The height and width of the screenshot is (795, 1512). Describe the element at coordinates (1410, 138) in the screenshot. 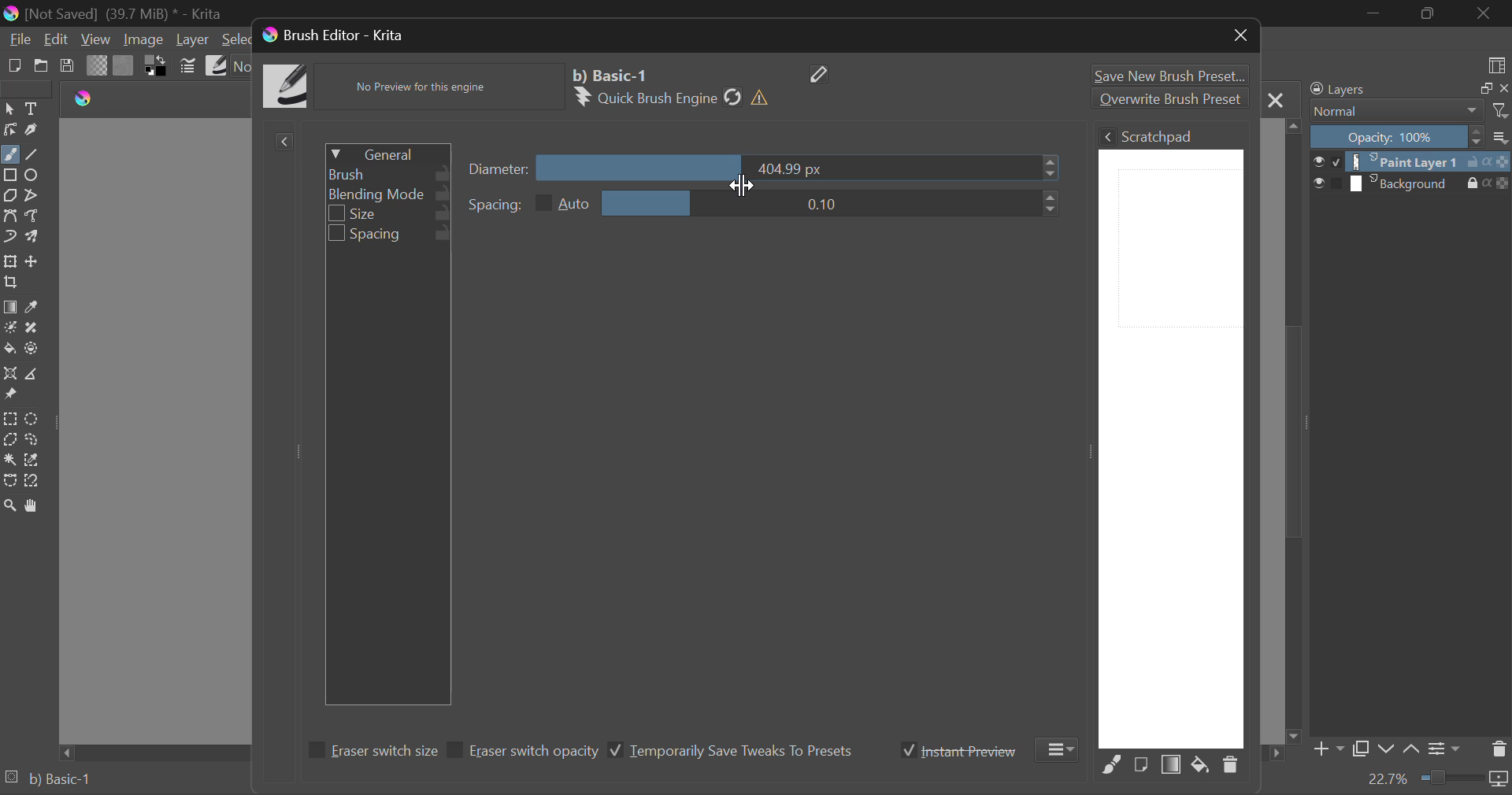

I see `Opacity` at that location.